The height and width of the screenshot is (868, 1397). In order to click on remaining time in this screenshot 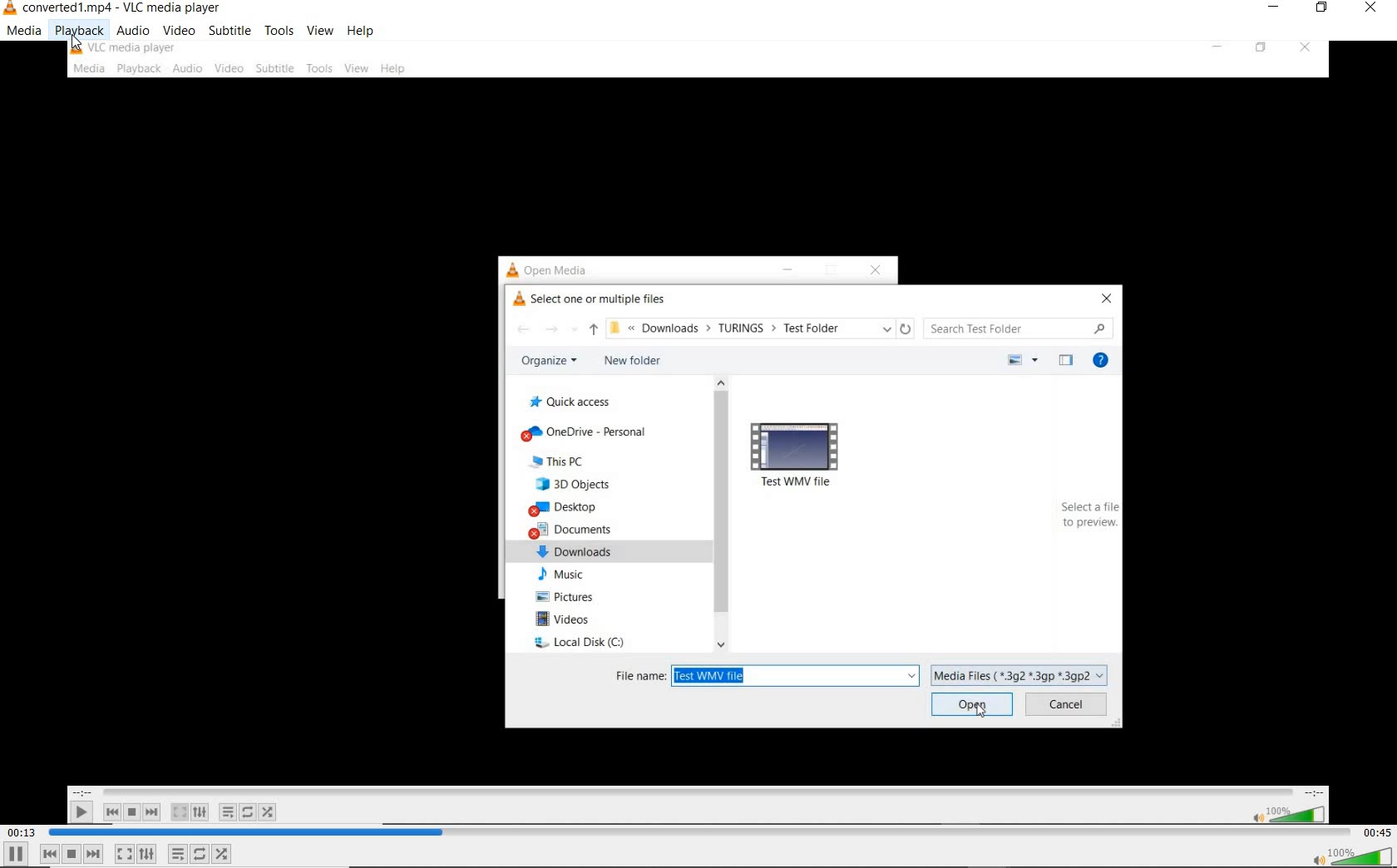, I will do `click(1375, 833)`.